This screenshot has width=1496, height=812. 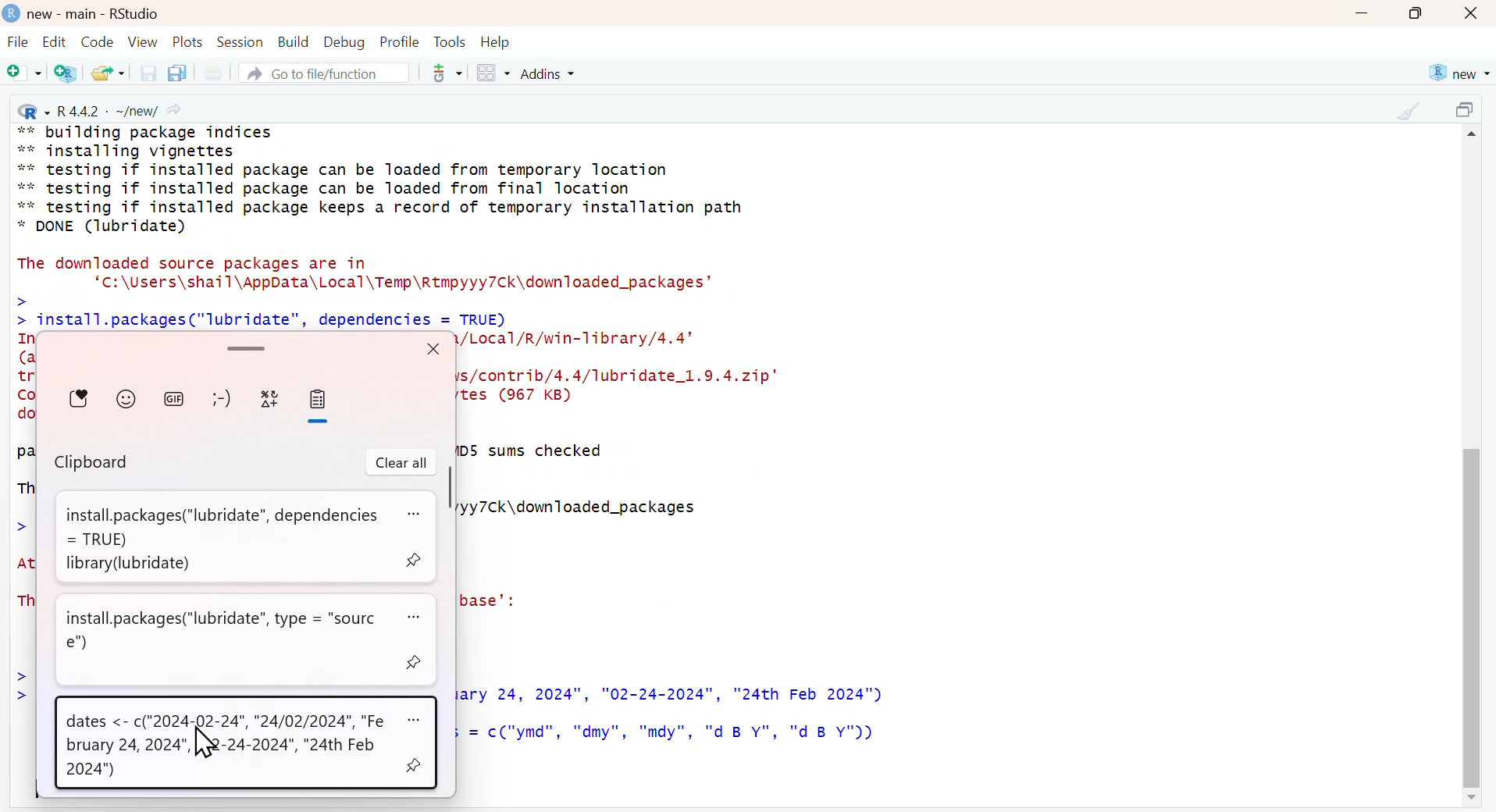 What do you see at coordinates (416, 515) in the screenshot?
I see `more options` at bounding box center [416, 515].